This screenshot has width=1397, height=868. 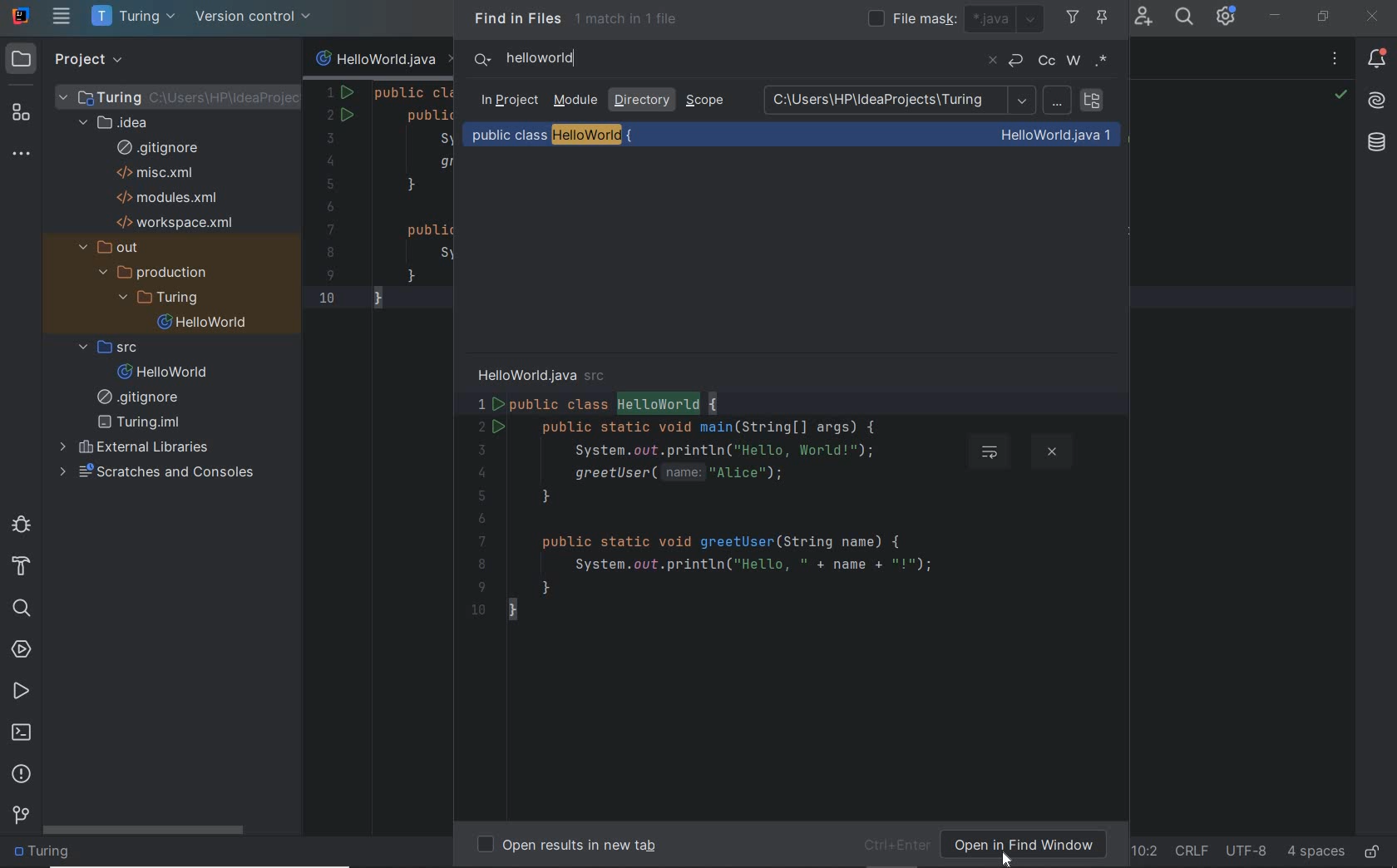 I want to click on file name, so click(x=168, y=372).